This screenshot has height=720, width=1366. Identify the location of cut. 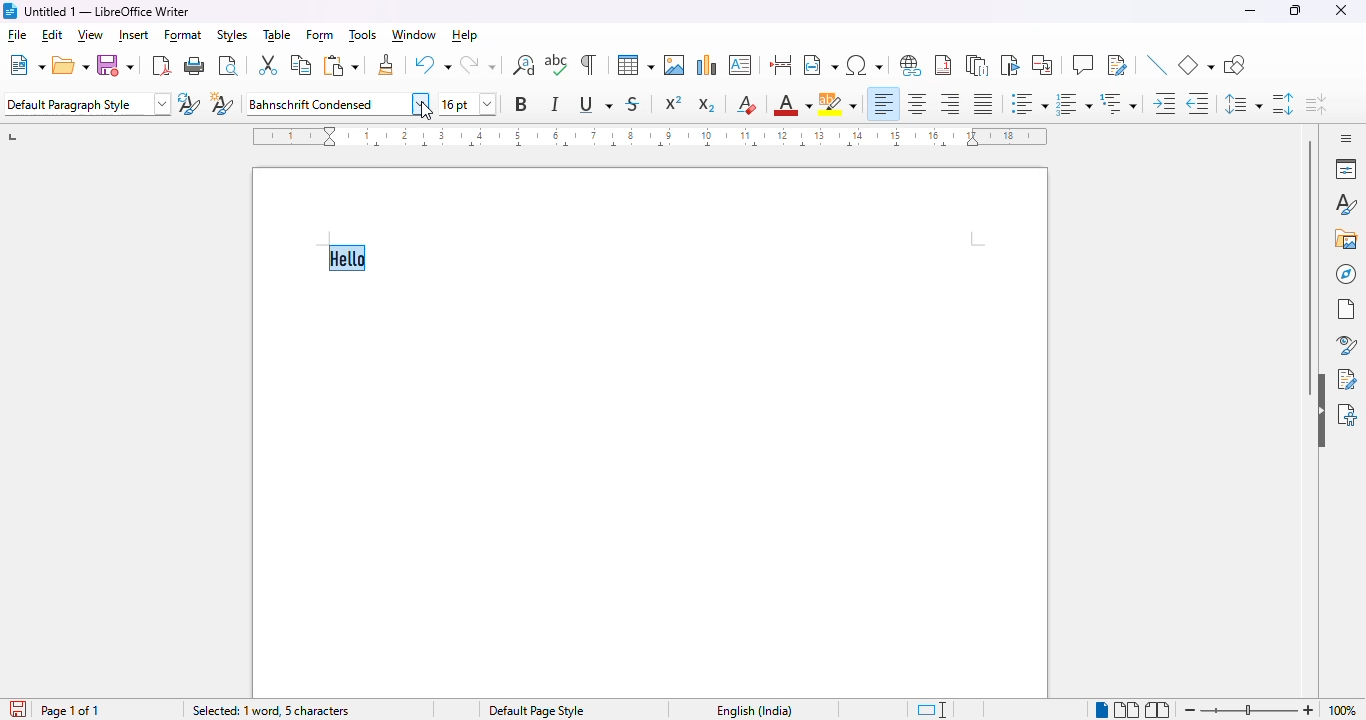
(268, 65).